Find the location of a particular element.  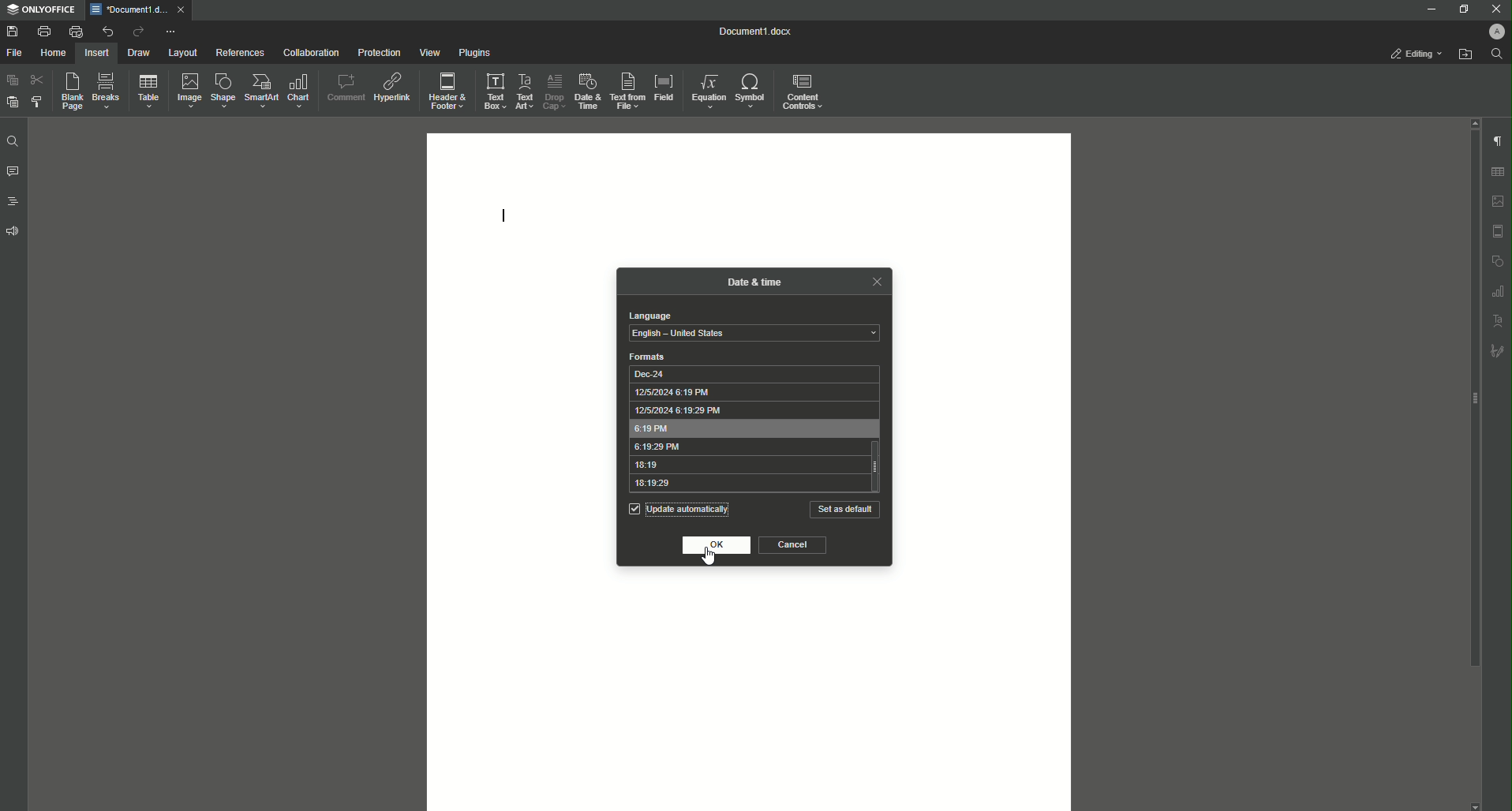

close is located at coordinates (876, 281).